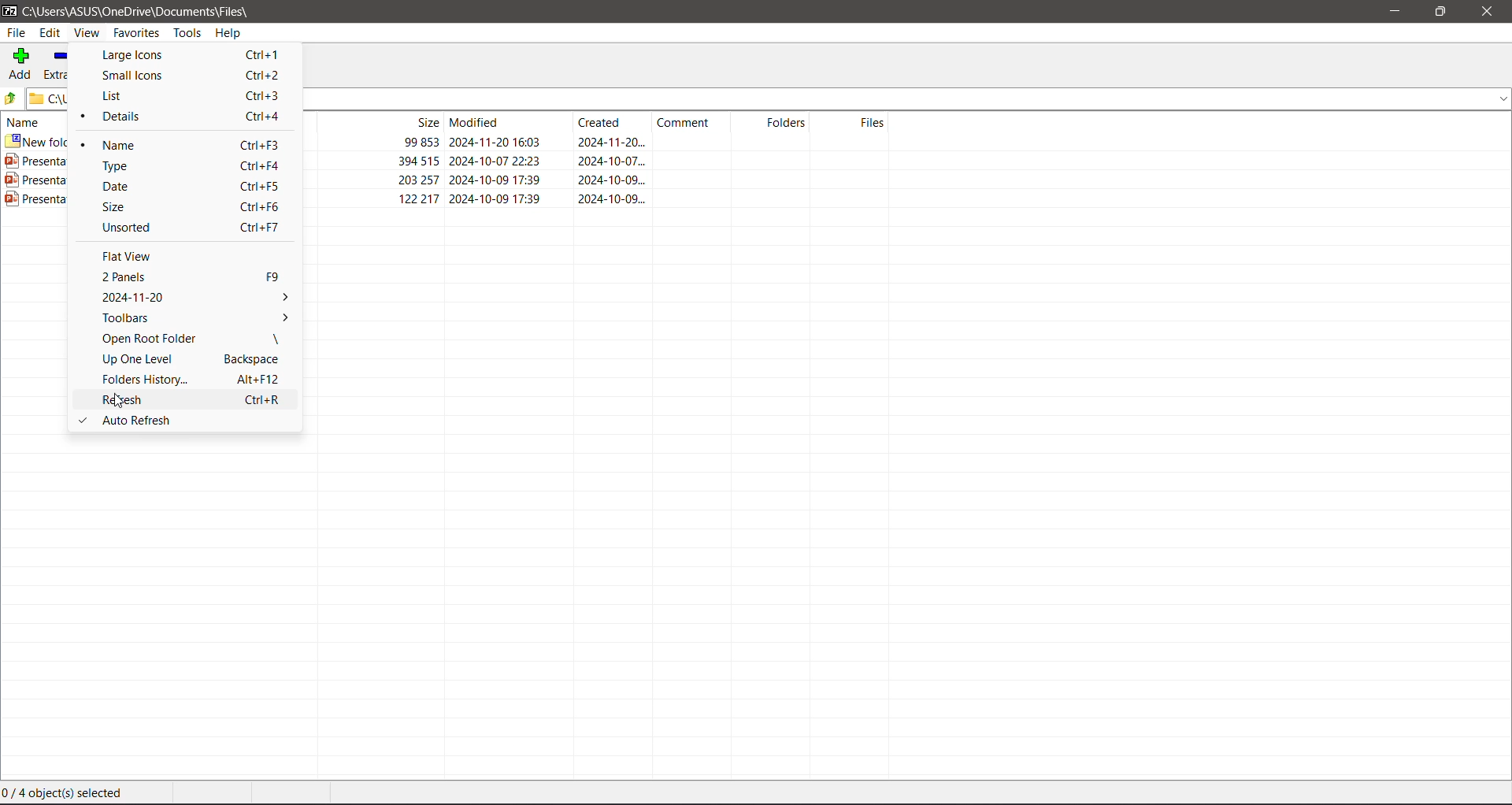 This screenshot has width=1512, height=805. What do you see at coordinates (140, 76) in the screenshot?
I see `Small Icons` at bounding box center [140, 76].